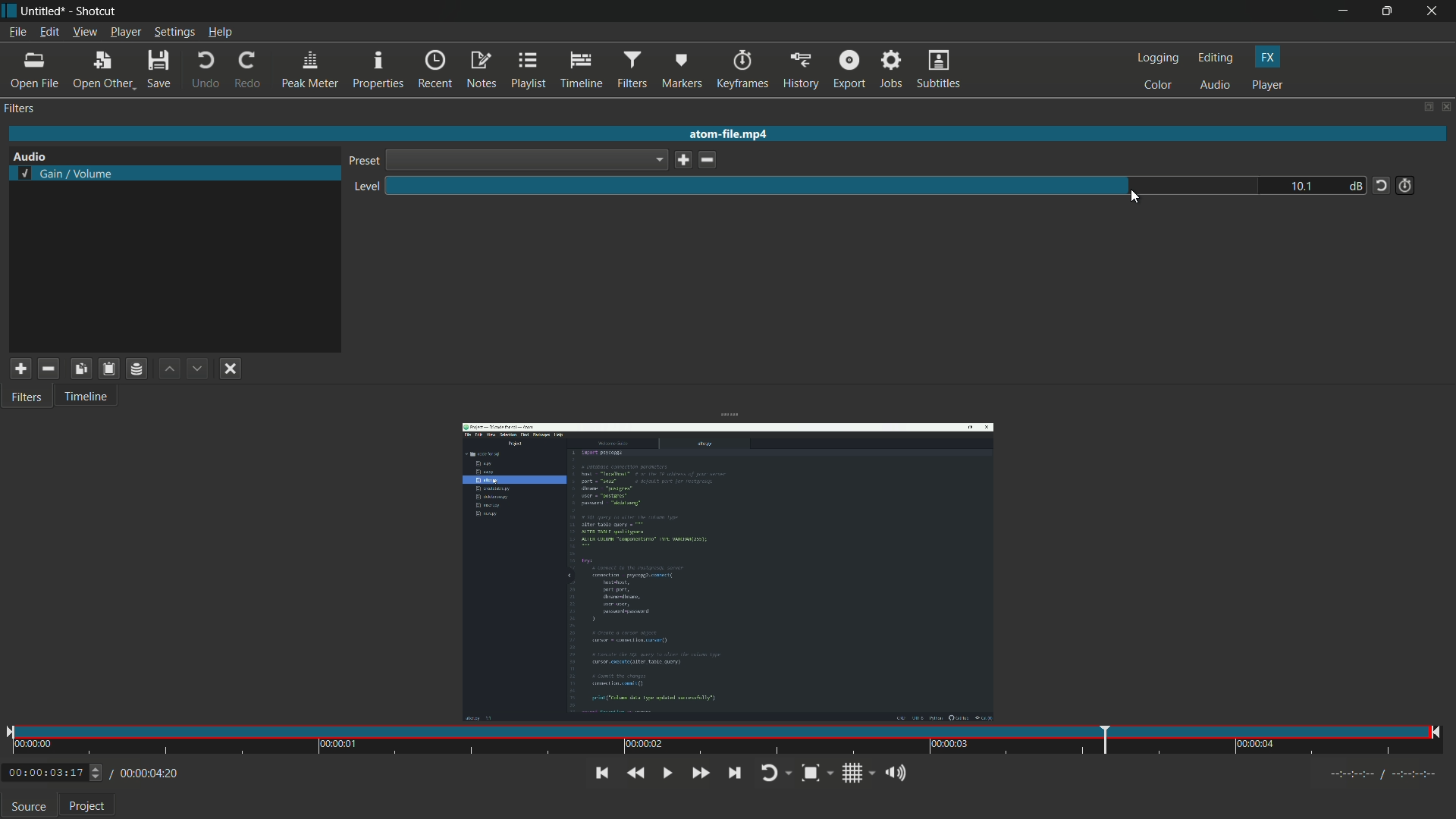 The width and height of the screenshot is (1456, 819). What do you see at coordinates (64, 174) in the screenshot?
I see `selected gain volume filter` at bounding box center [64, 174].